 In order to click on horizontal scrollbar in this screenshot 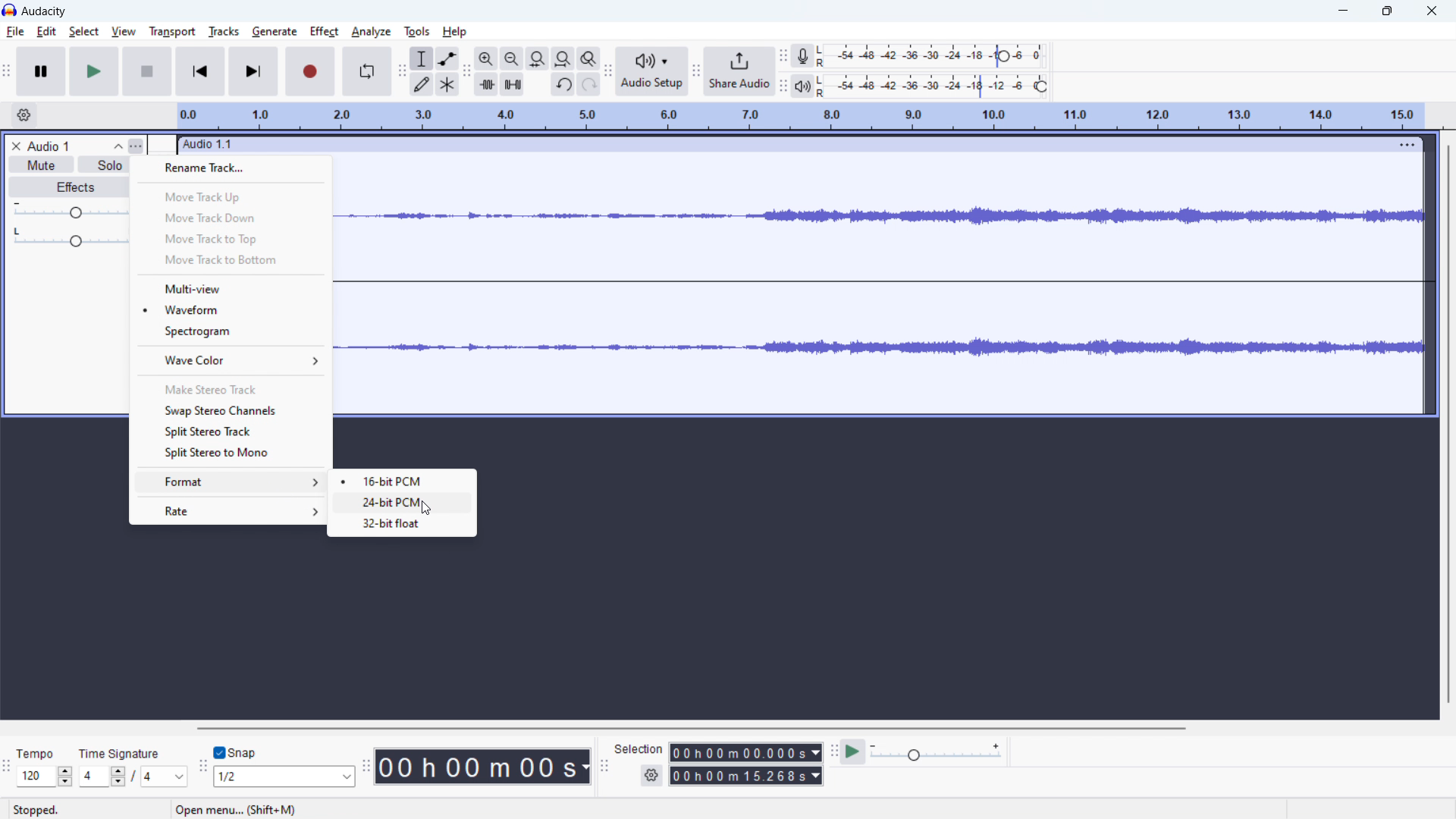, I will do `click(695, 728)`.